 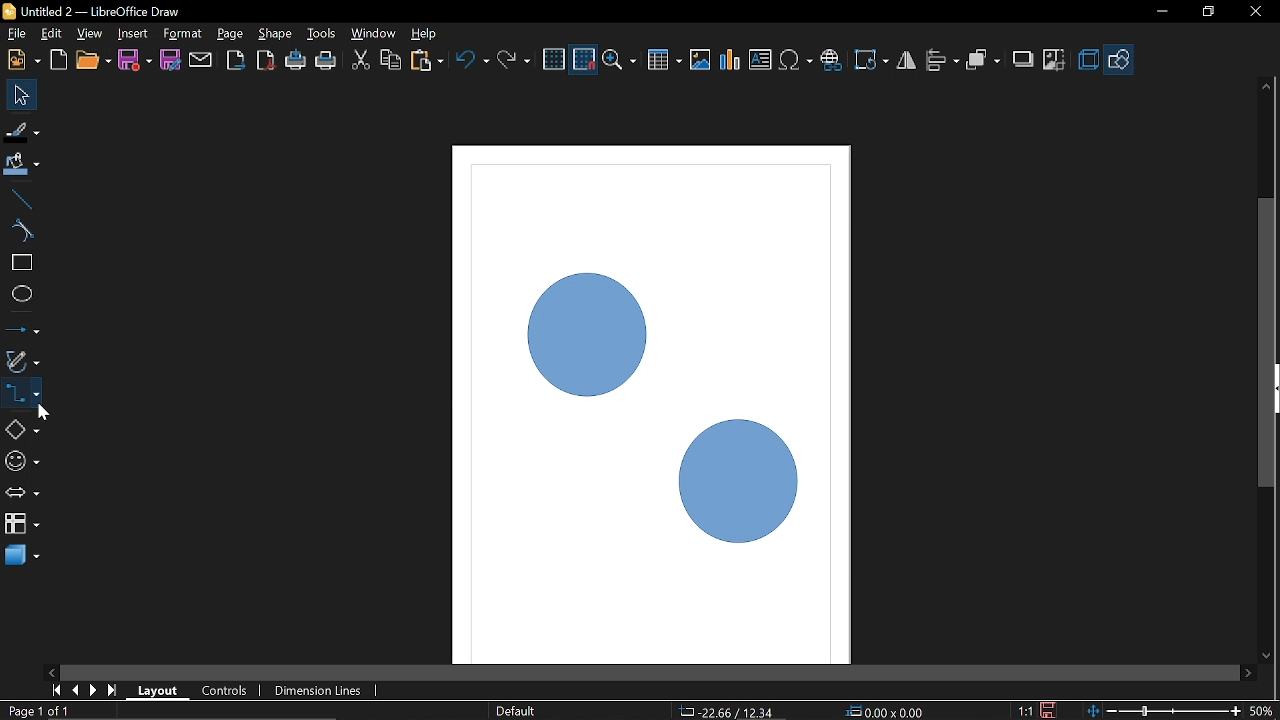 I want to click on Move down, so click(x=1270, y=659).